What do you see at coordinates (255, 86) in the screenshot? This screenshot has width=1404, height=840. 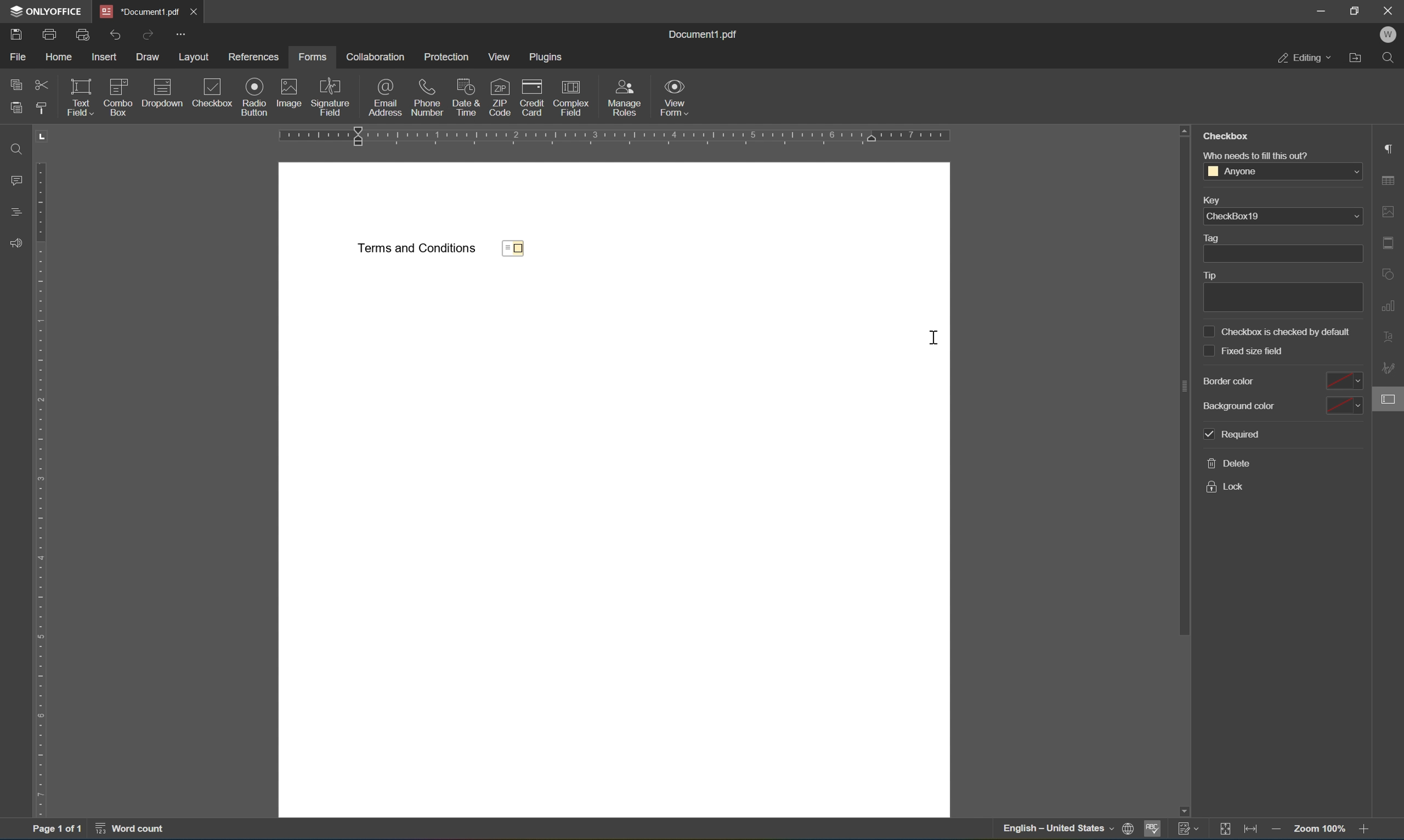 I see `icon` at bounding box center [255, 86].